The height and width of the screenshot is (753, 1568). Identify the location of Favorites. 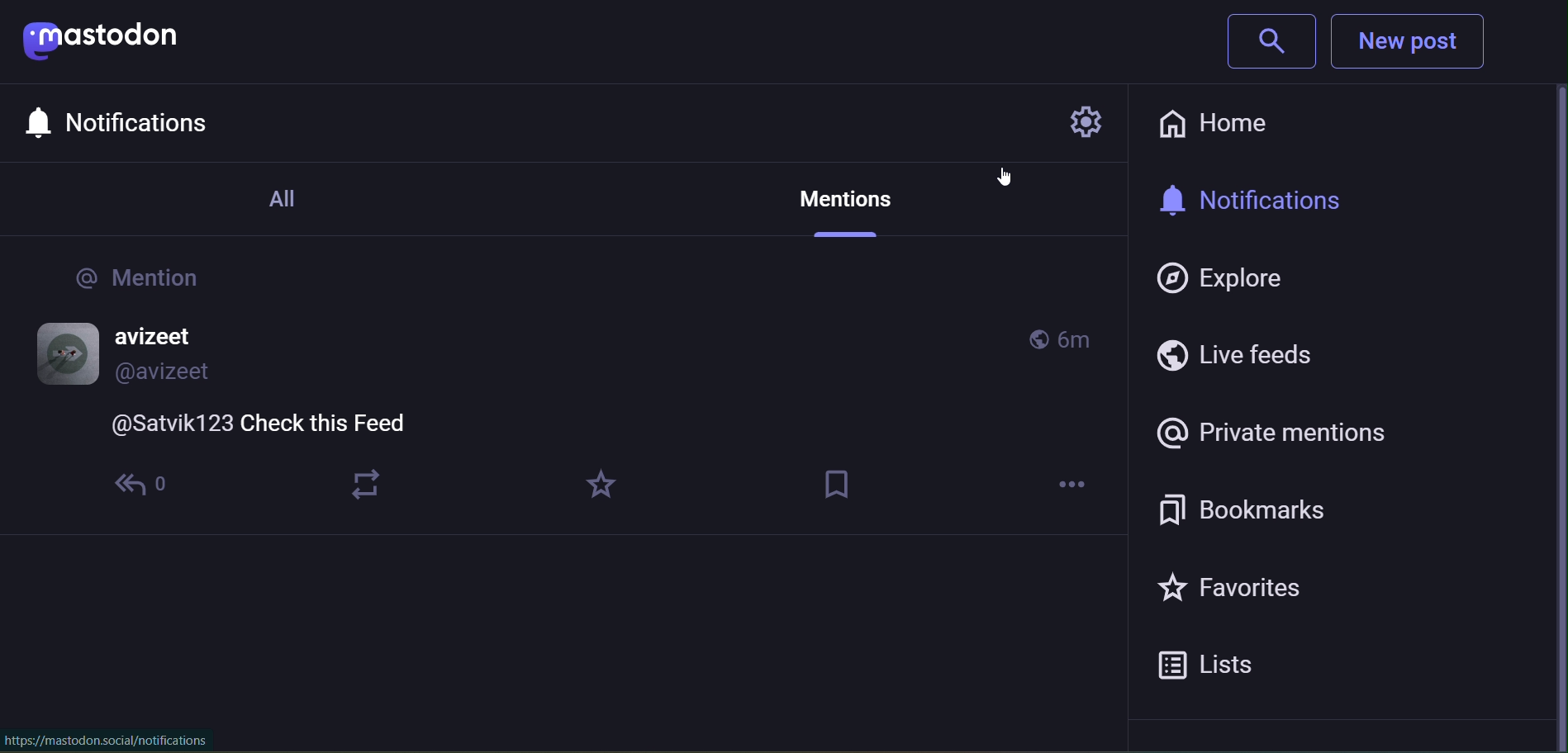
(1247, 590).